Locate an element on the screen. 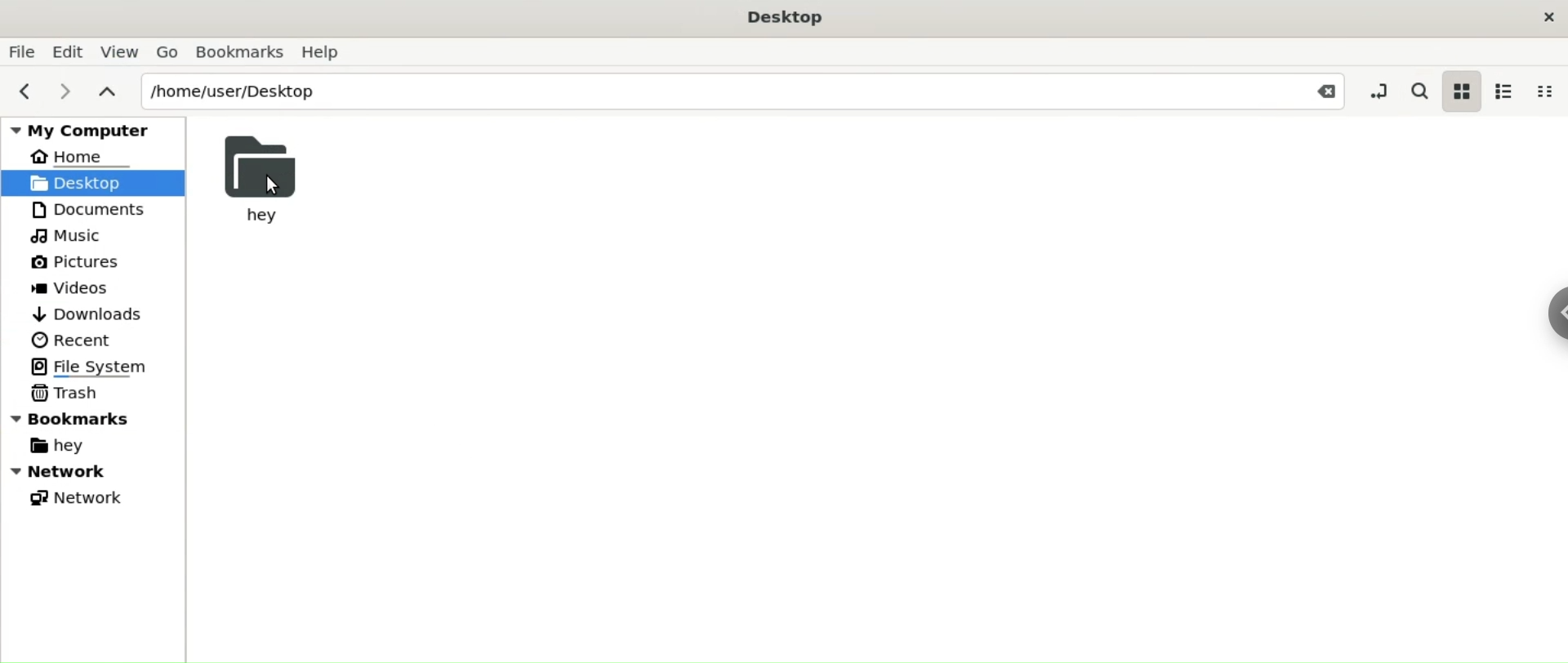 The height and width of the screenshot is (663, 1568). next is located at coordinates (60, 92).